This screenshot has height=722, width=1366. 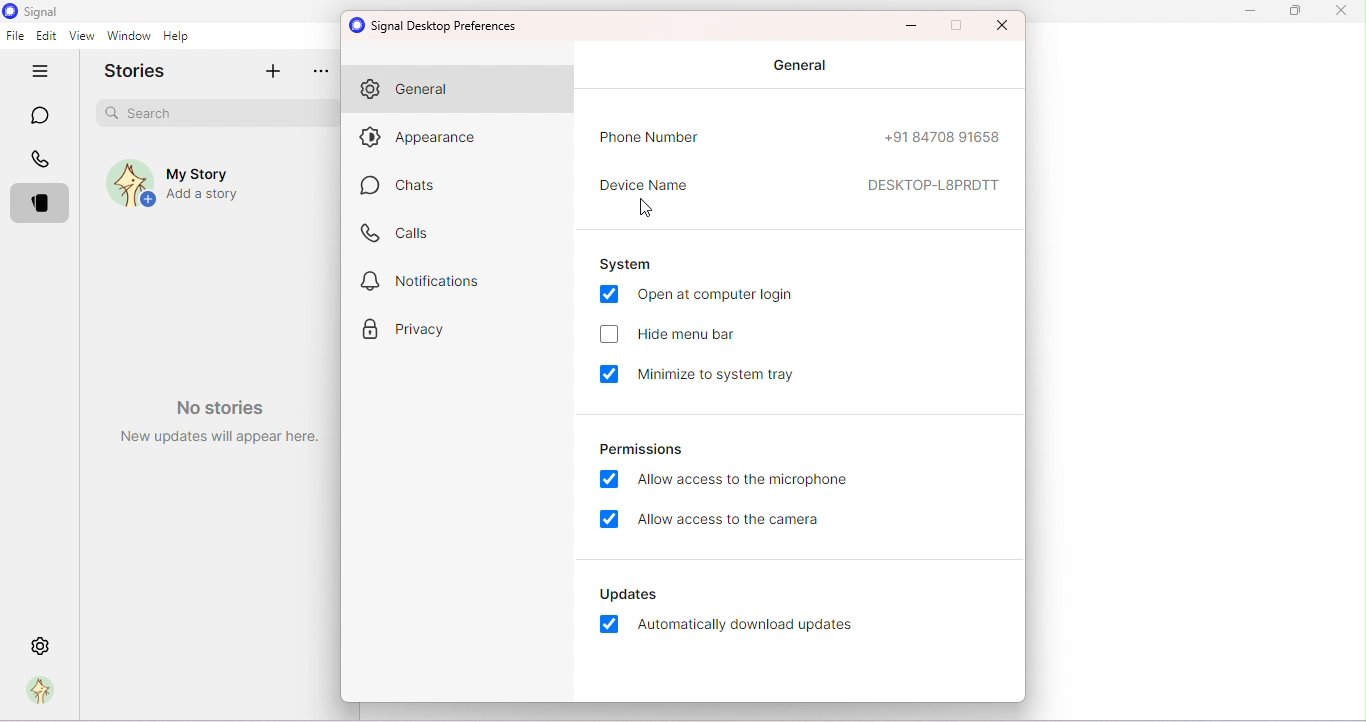 What do you see at coordinates (437, 23) in the screenshot?
I see `Signal desktop preferences` at bounding box center [437, 23].